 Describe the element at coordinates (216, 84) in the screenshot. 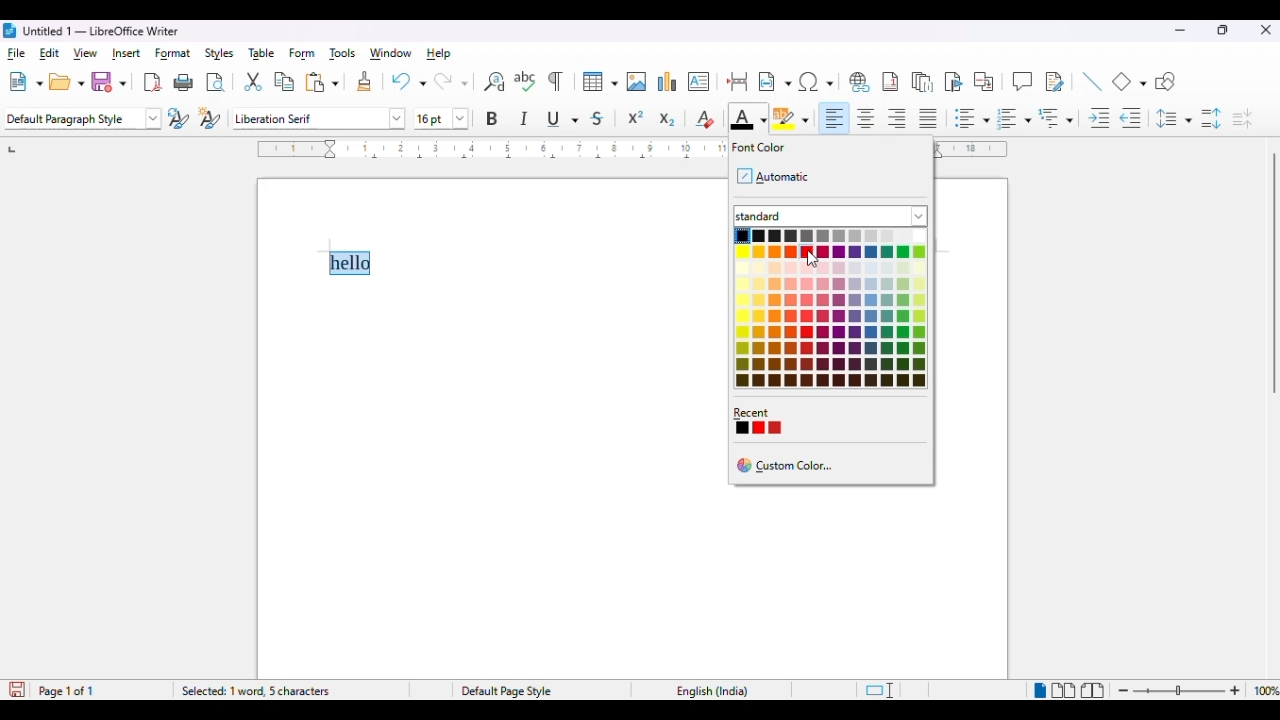

I see `toggle print preview` at that location.